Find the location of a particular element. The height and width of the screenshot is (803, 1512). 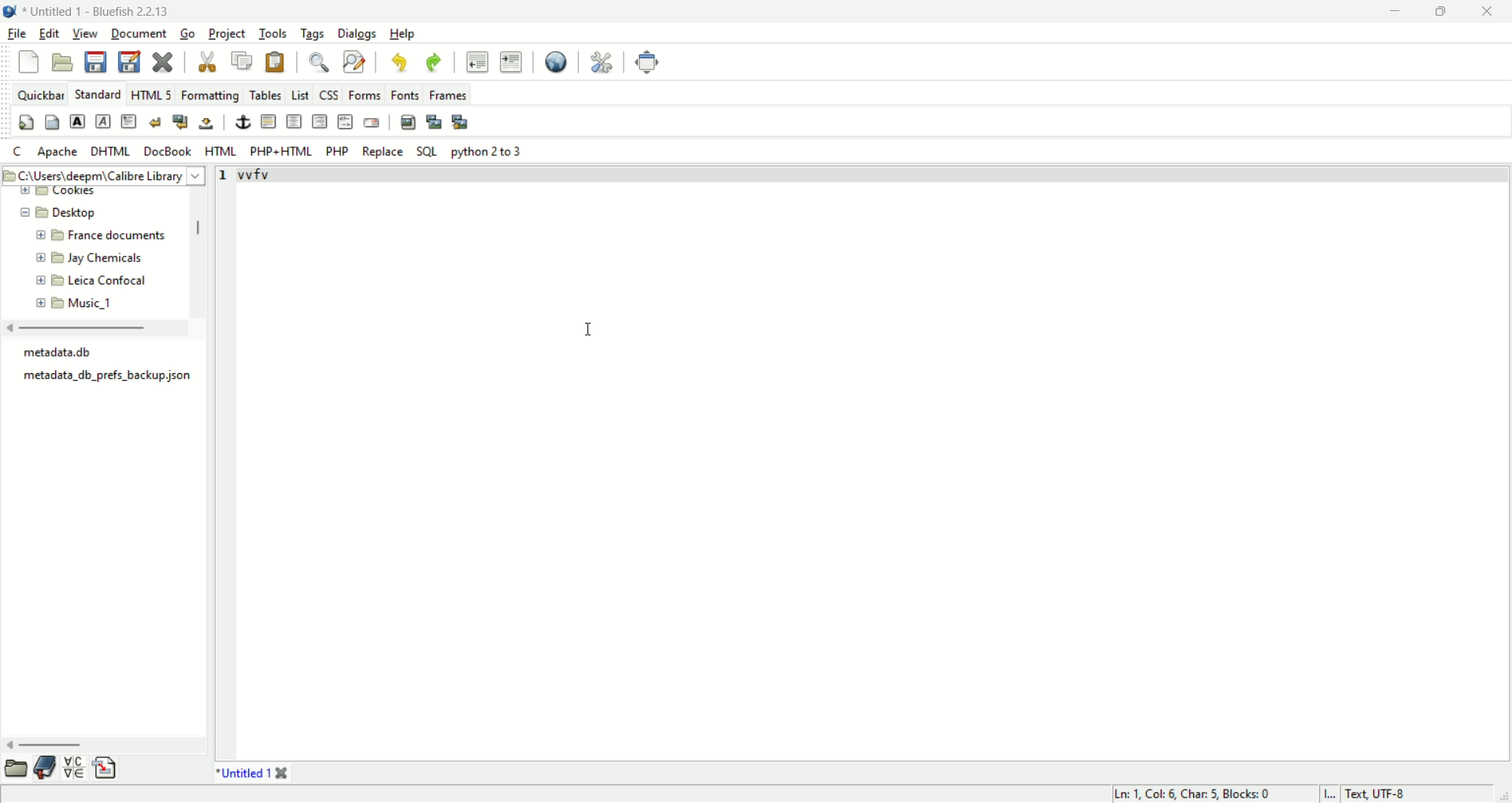

cursor is located at coordinates (594, 324).